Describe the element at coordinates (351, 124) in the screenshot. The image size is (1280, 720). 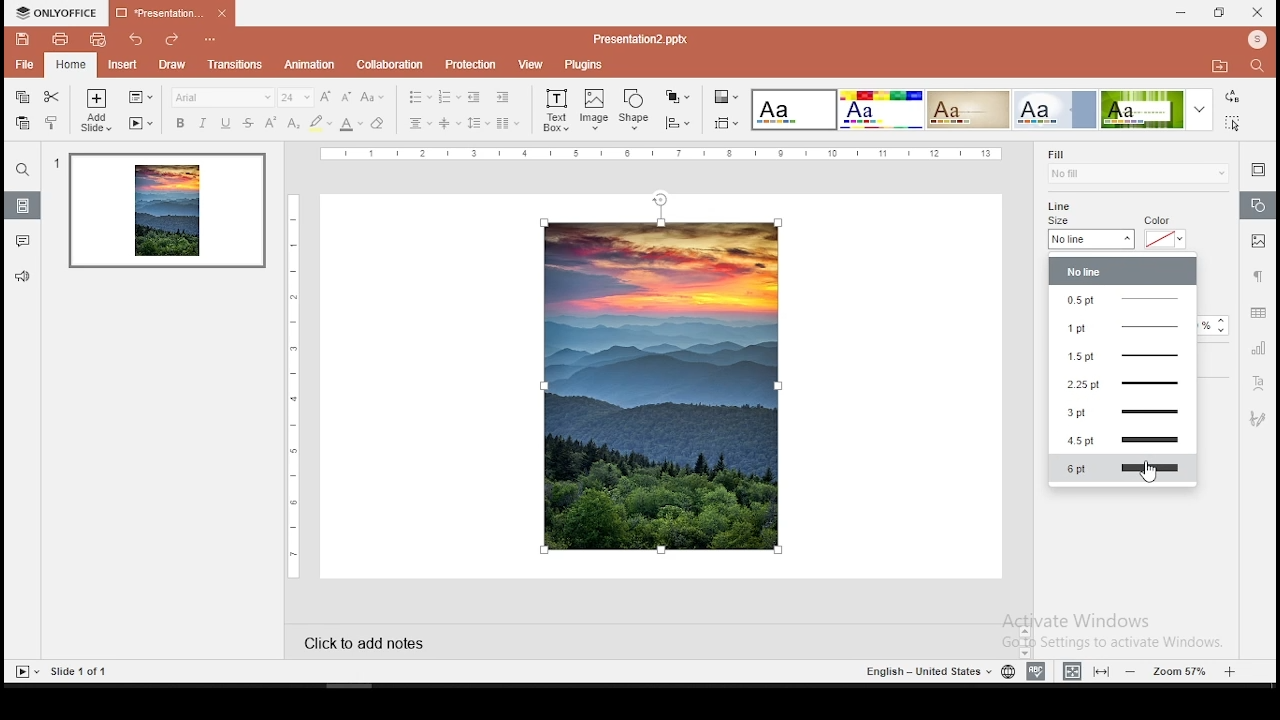
I see `font color` at that location.